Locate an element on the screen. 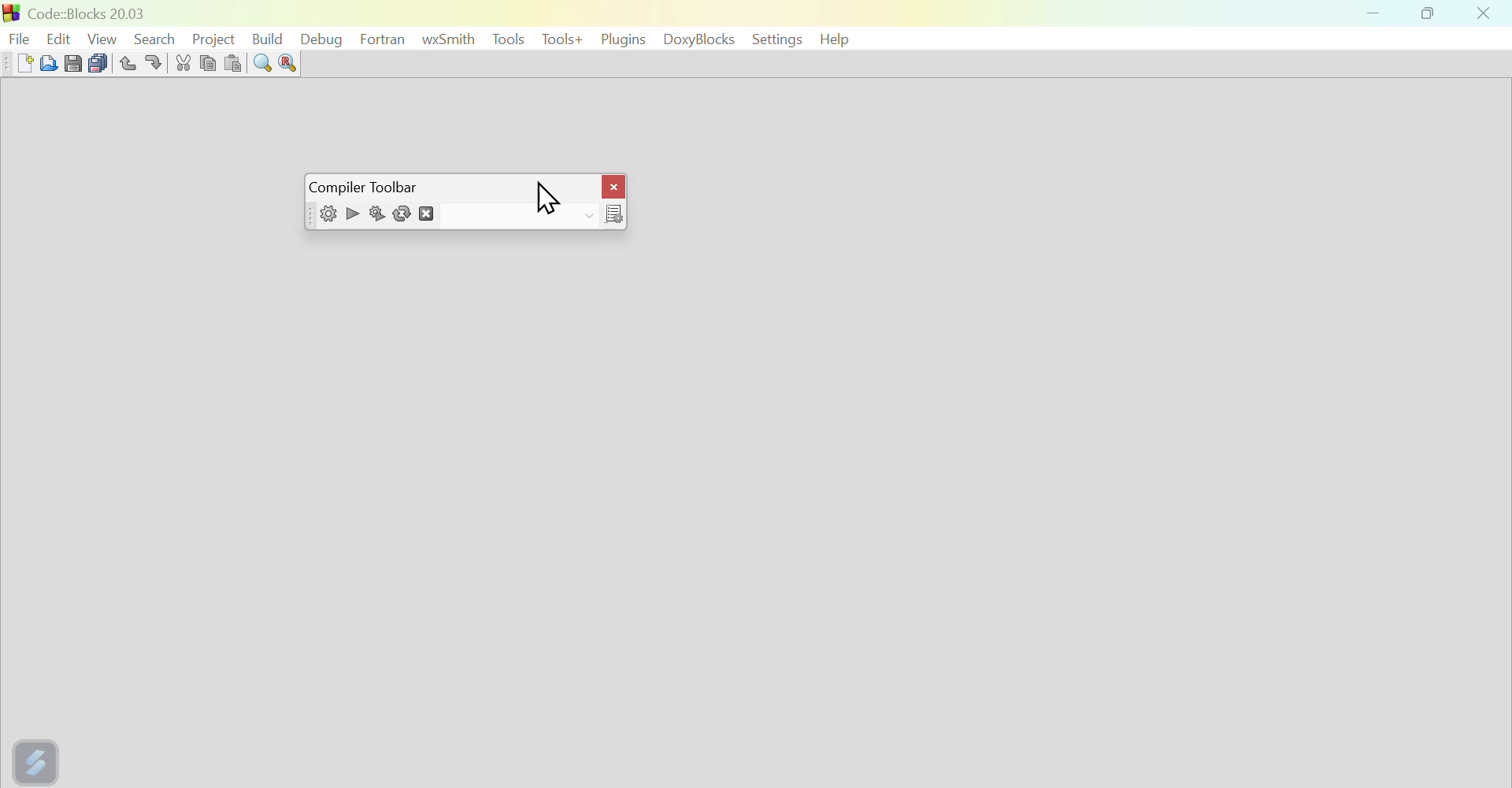 This screenshot has height=788, width=1512. Settings is located at coordinates (324, 216).